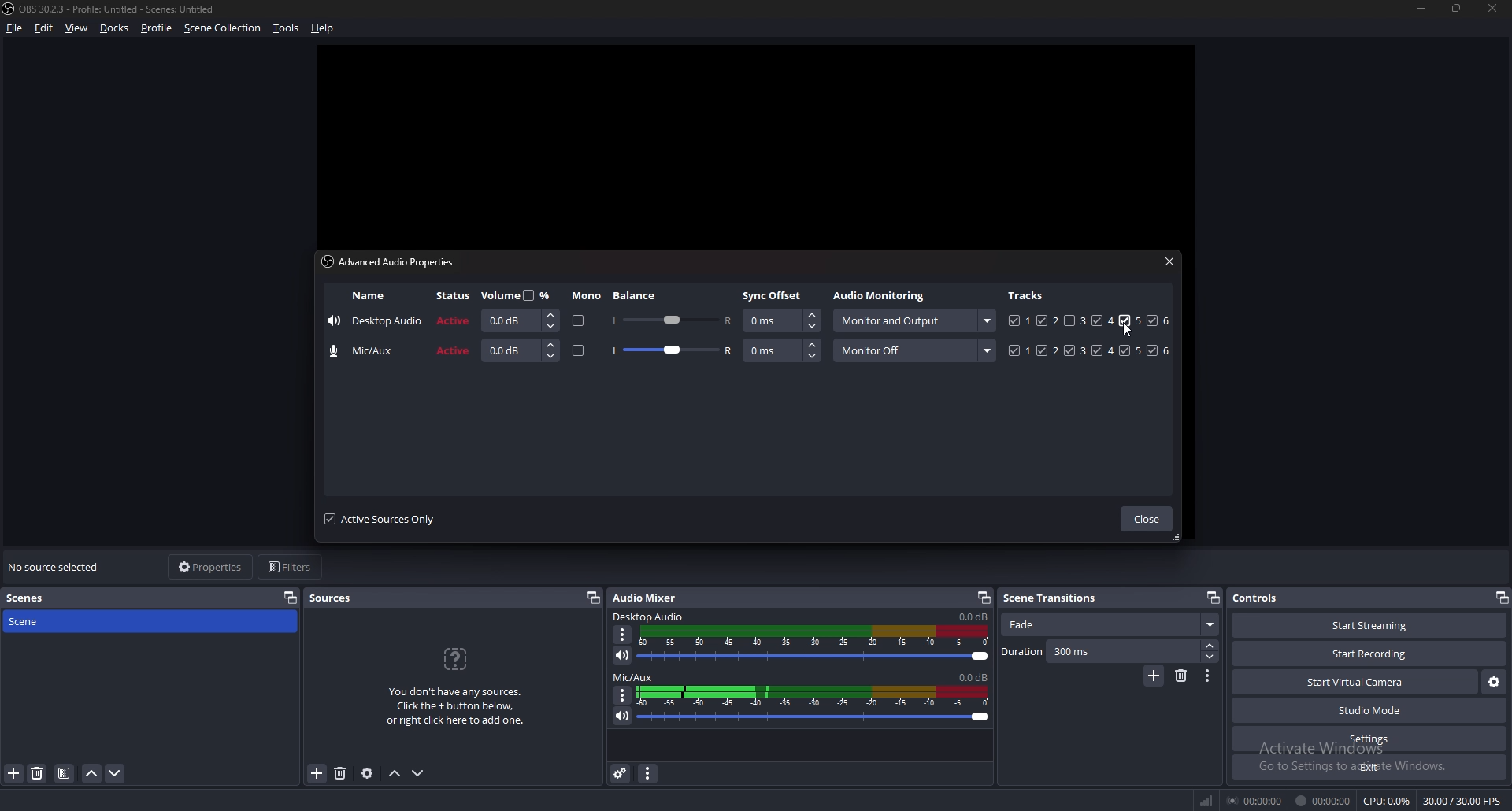 The height and width of the screenshot is (811, 1512). I want to click on audio mixer menu, so click(650, 774).